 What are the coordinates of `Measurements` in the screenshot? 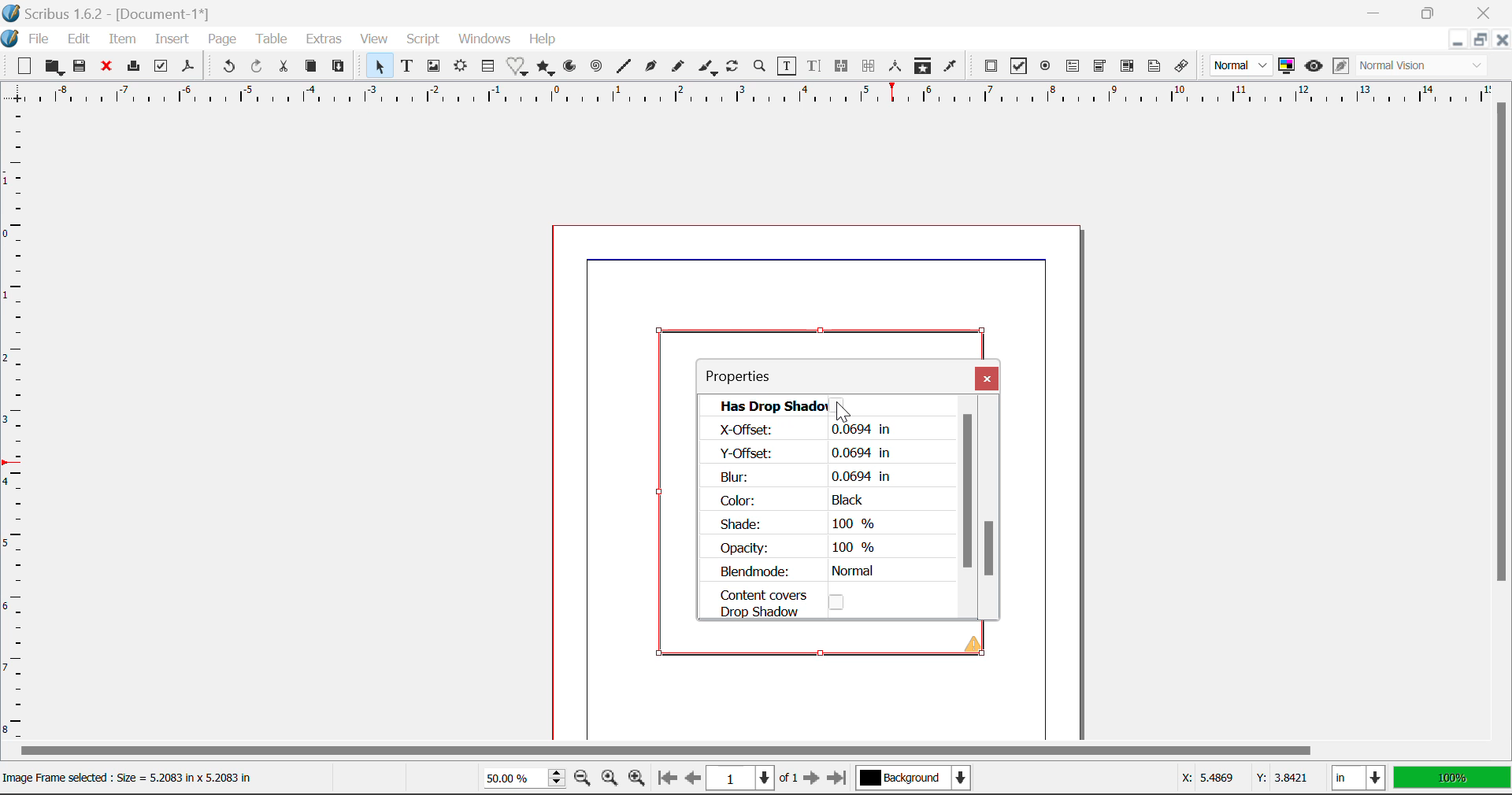 It's located at (895, 65).